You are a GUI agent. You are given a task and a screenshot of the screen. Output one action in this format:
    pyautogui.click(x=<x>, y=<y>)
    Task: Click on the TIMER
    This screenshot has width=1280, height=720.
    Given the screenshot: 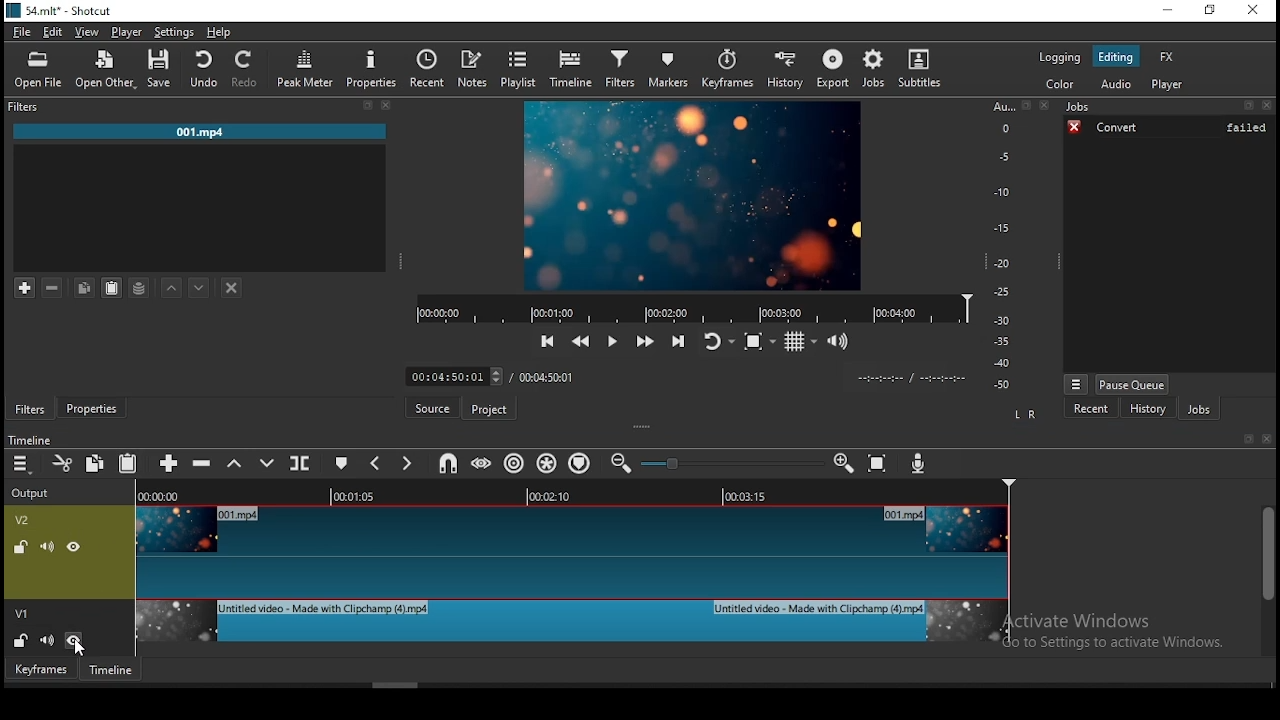 What is the action you would take?
    pyautogui.click(x=904, y=378)
    